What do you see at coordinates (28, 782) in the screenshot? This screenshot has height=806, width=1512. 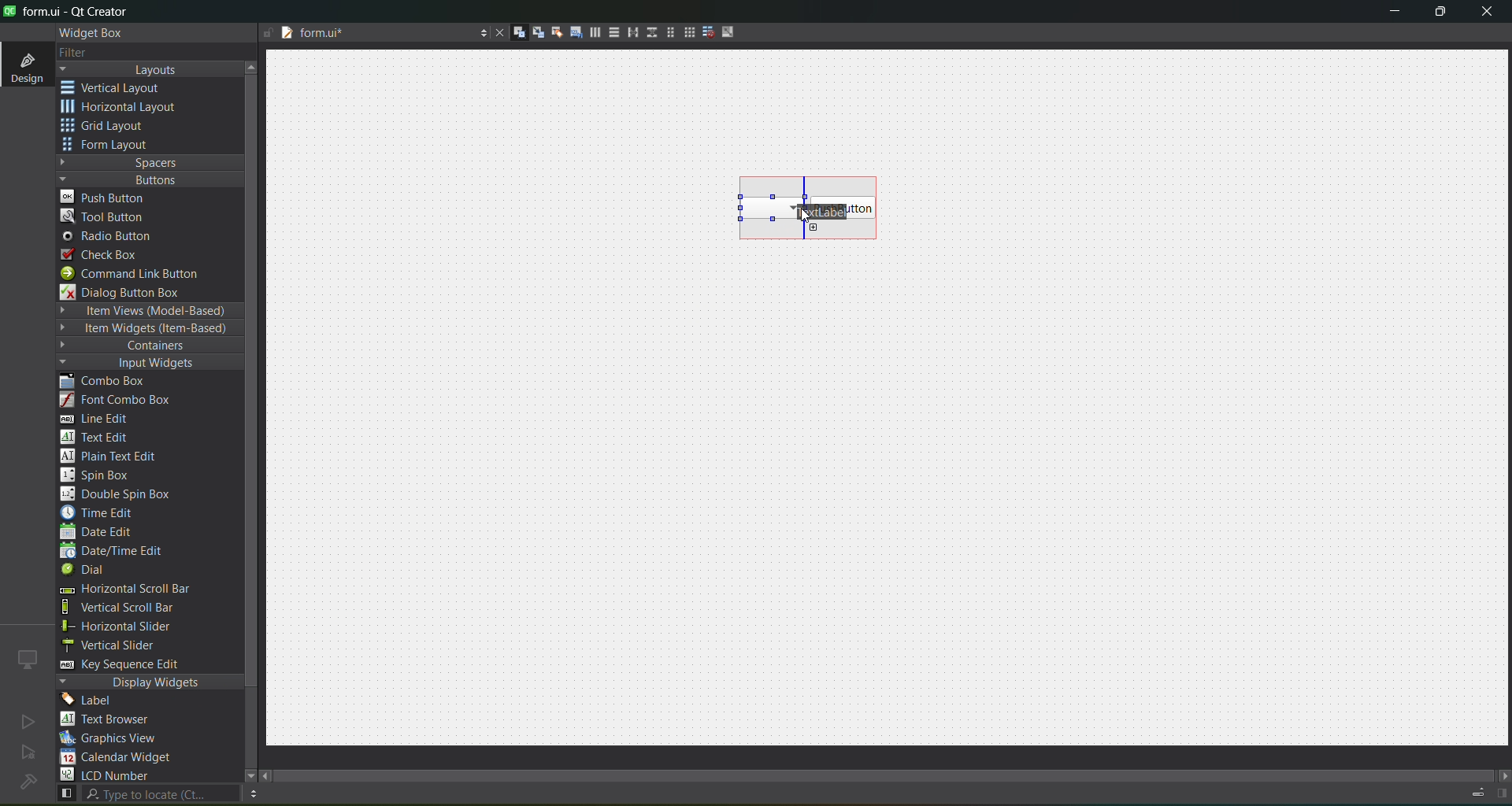 I see `no project loaded` at bounding box center [28, 782].